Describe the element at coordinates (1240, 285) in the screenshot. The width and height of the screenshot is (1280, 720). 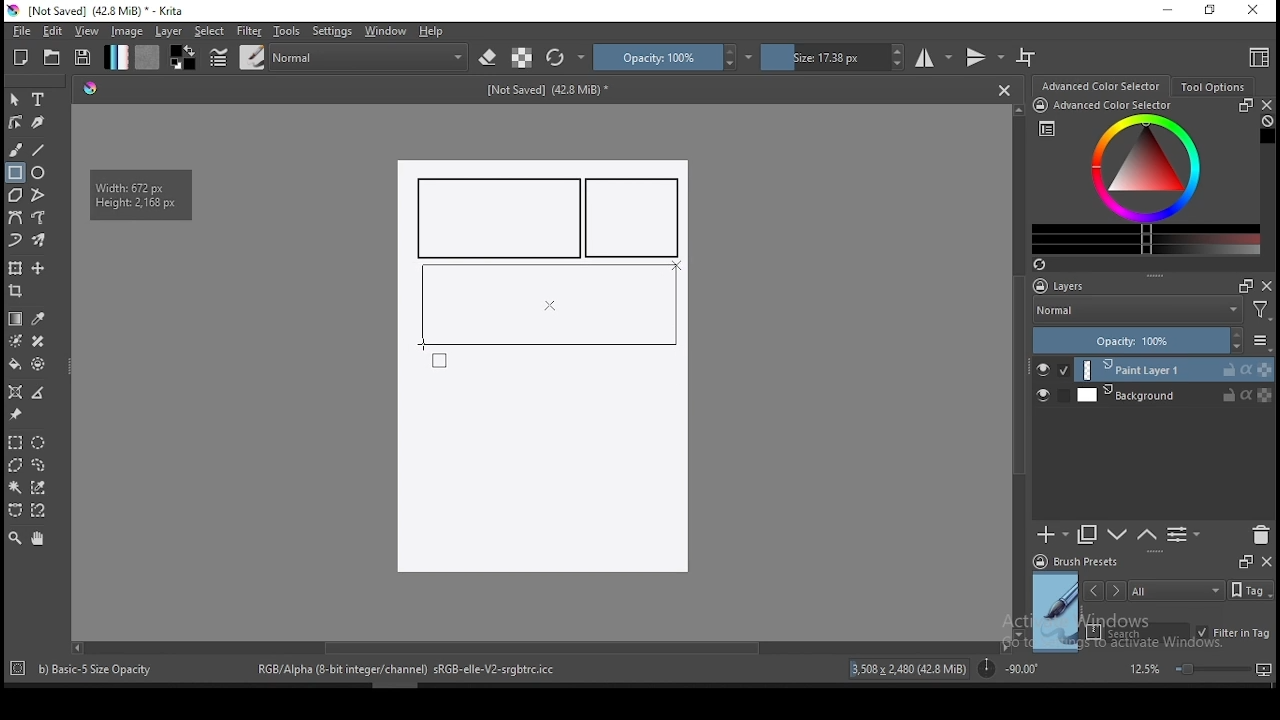
I see `Frames` at that location.